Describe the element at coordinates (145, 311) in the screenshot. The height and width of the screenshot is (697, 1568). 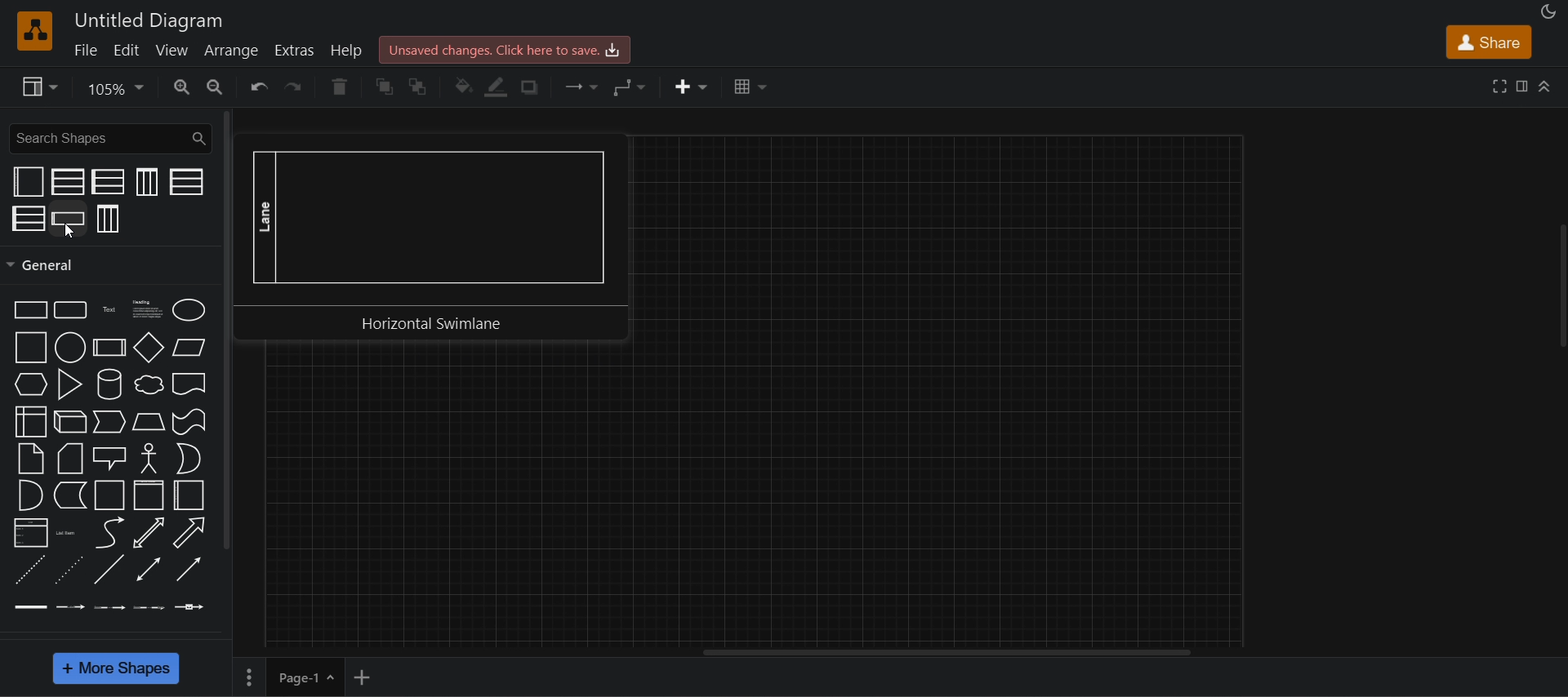
I see `heading text box` at that location.